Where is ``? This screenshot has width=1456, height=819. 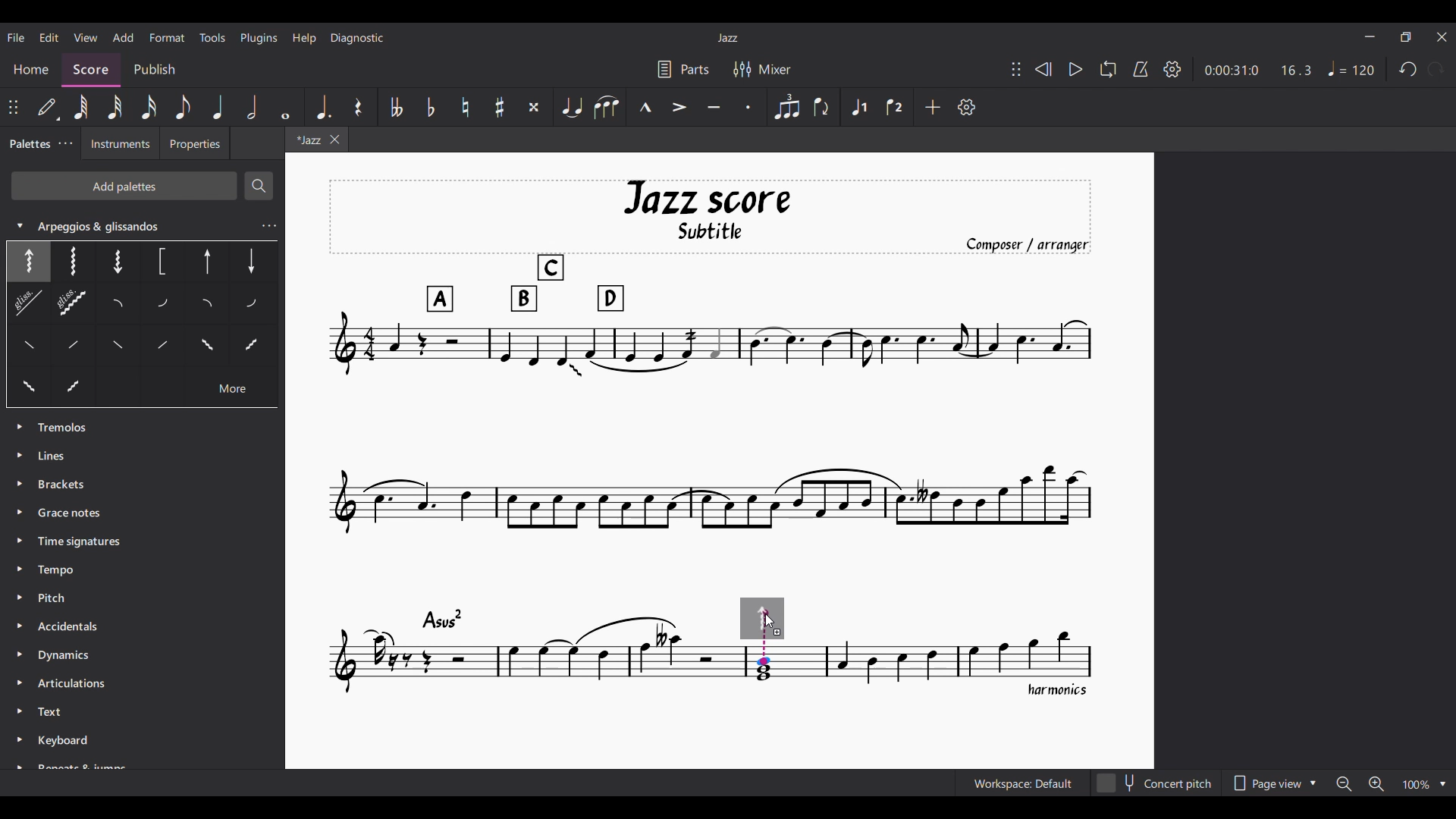
 is located at coordinates (208, 344).